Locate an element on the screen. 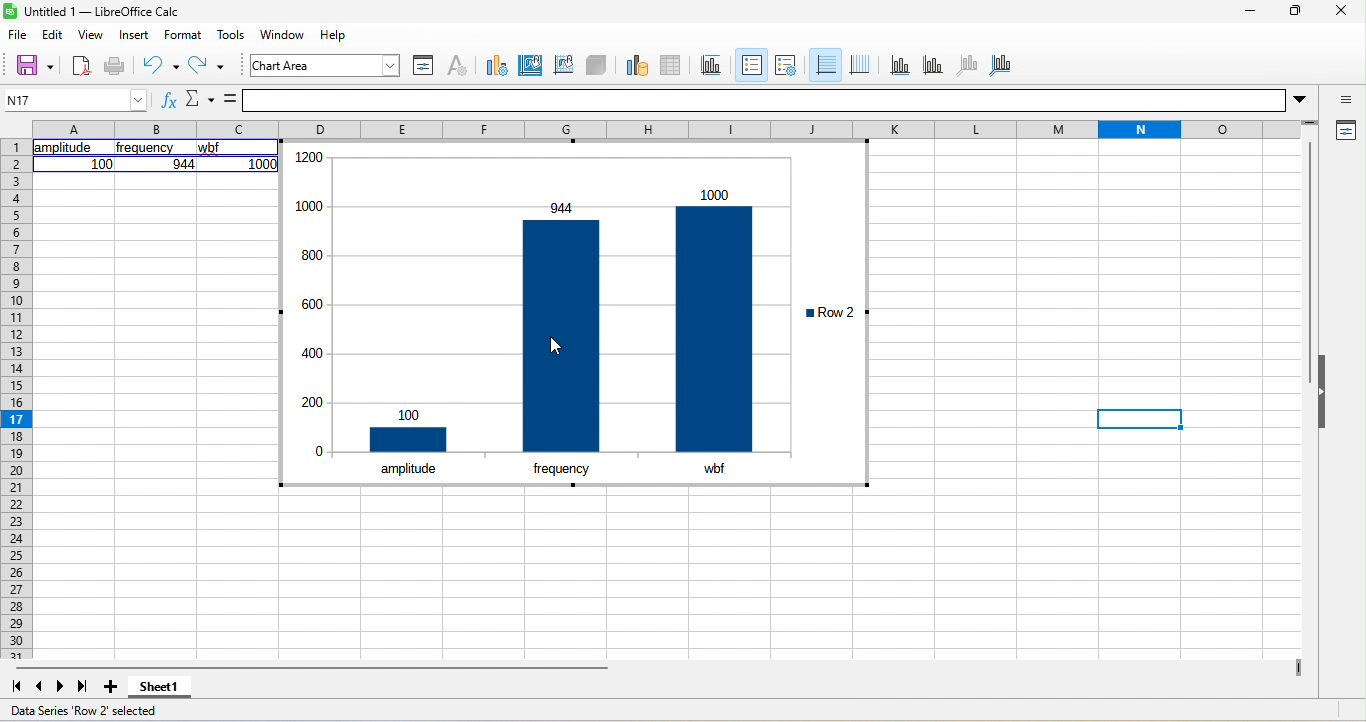 This screenshot has width=1366, height=722. view is located at coordinates (98, 33).